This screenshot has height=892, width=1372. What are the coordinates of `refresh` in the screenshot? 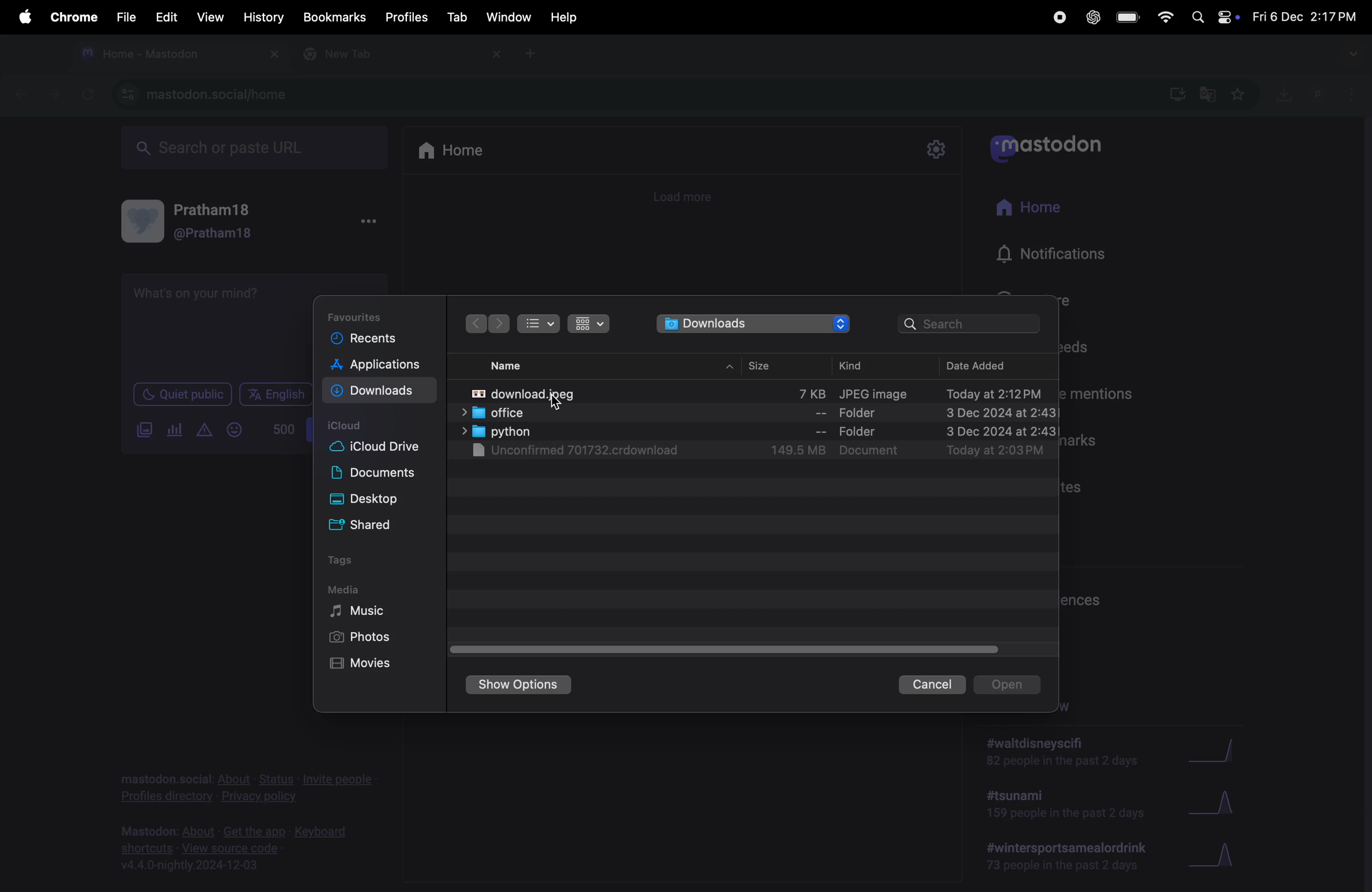 It's located at (85, 93).